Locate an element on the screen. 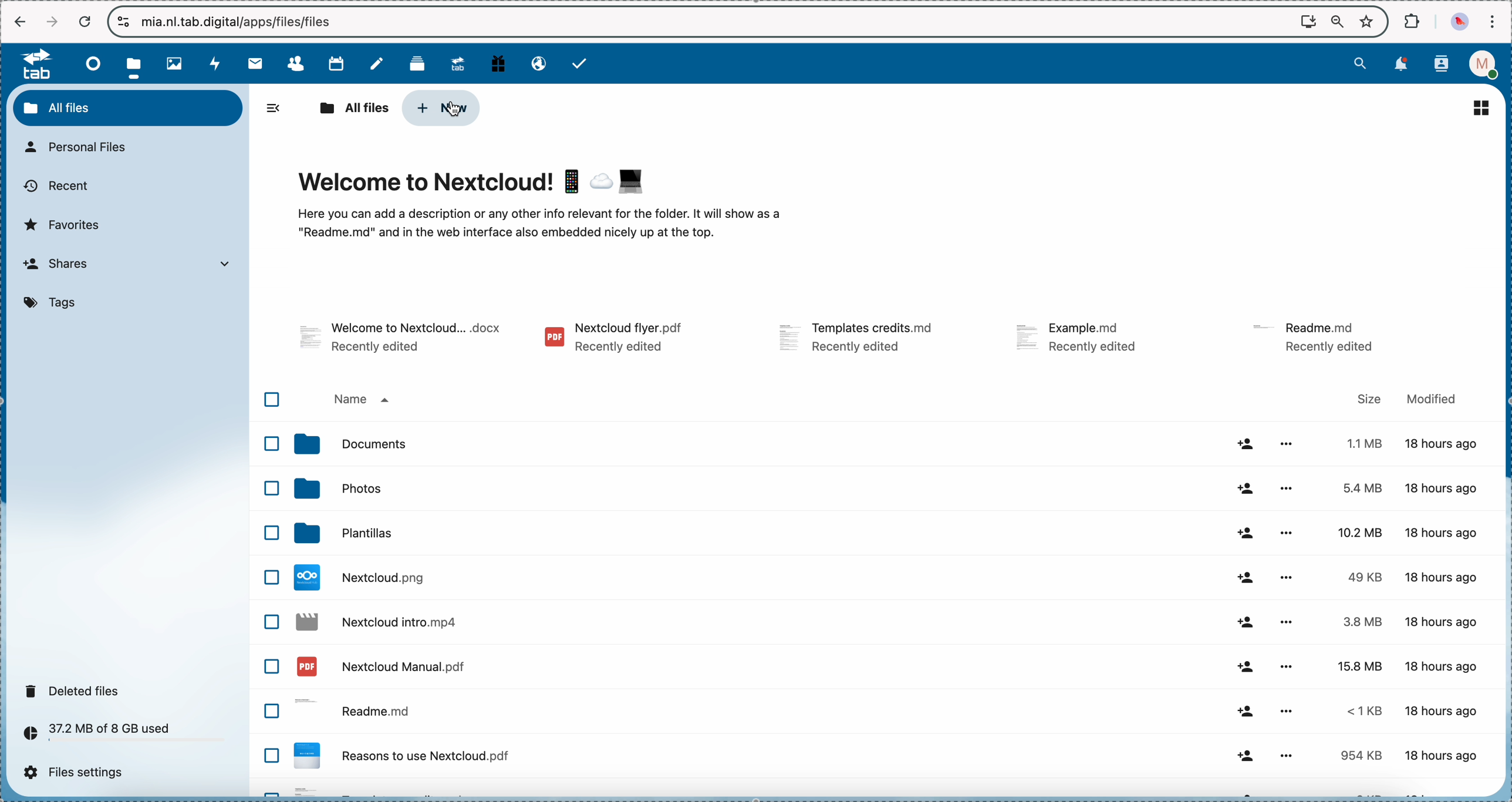  checkbox list is located at coordinates (266, 587).